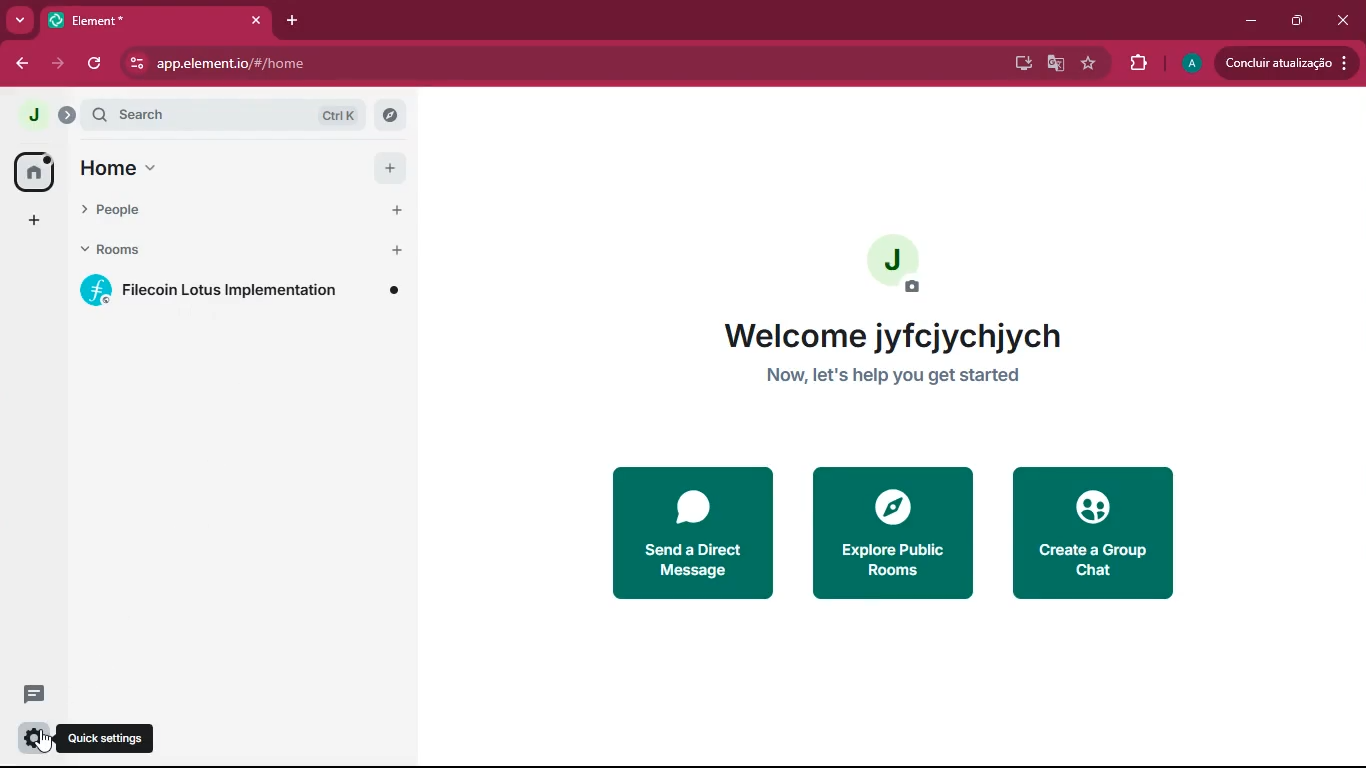 This screenshot has width=1366, height=768. What do you see at coordinates (1019, 62) in the screenshot?
I see `desktop` at bounding box center [1019, 62].